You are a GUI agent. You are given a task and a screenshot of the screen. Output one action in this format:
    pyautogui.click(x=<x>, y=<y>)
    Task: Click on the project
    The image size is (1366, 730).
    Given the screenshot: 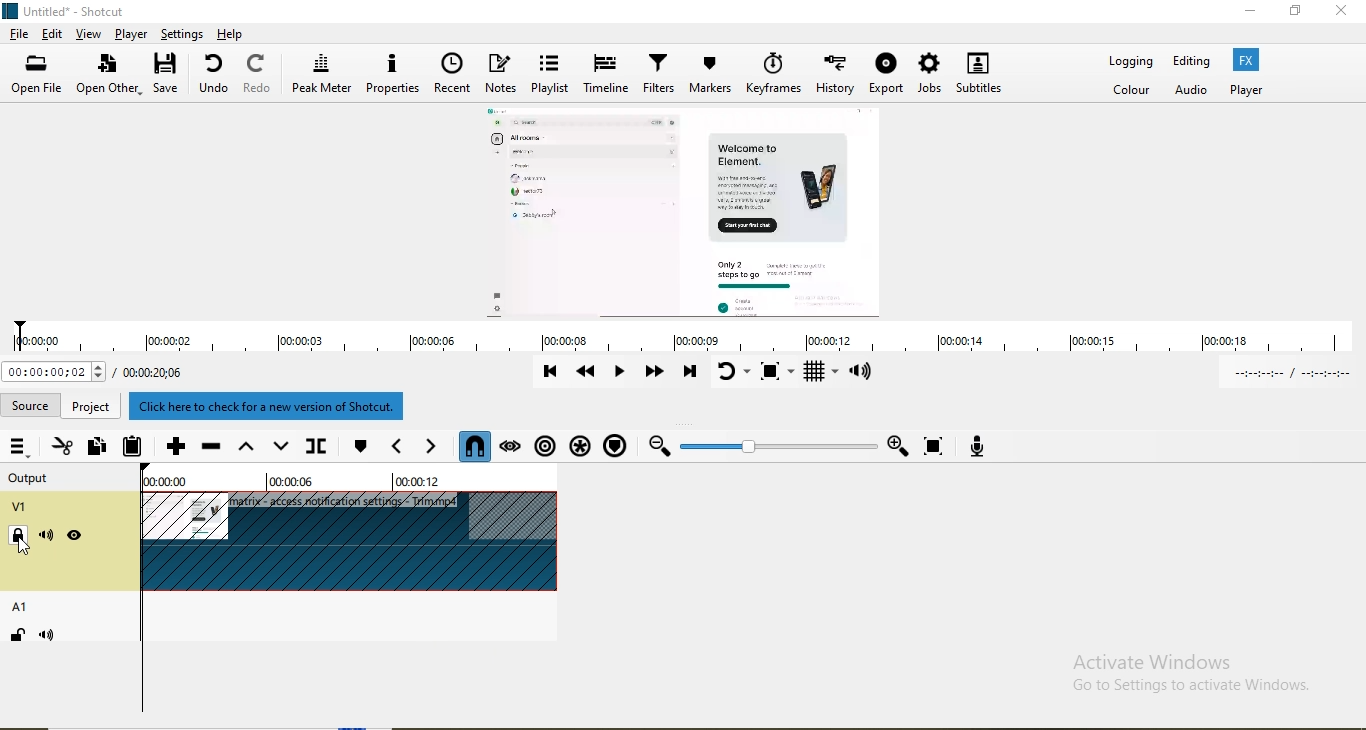 What is the action you would take?
    pyautogui.click(x=94, y=405)
    